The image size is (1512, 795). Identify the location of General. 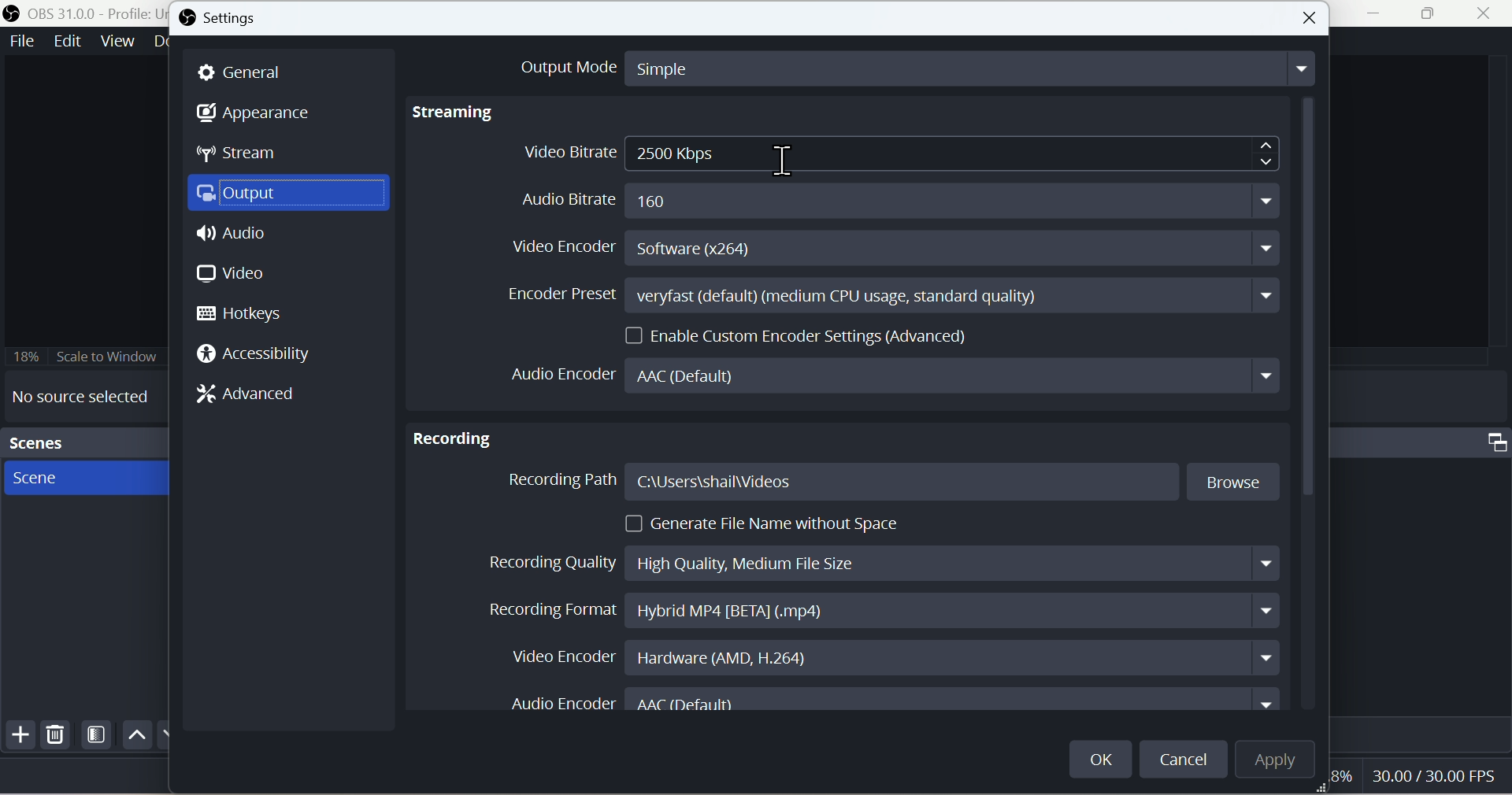
(250, 72).